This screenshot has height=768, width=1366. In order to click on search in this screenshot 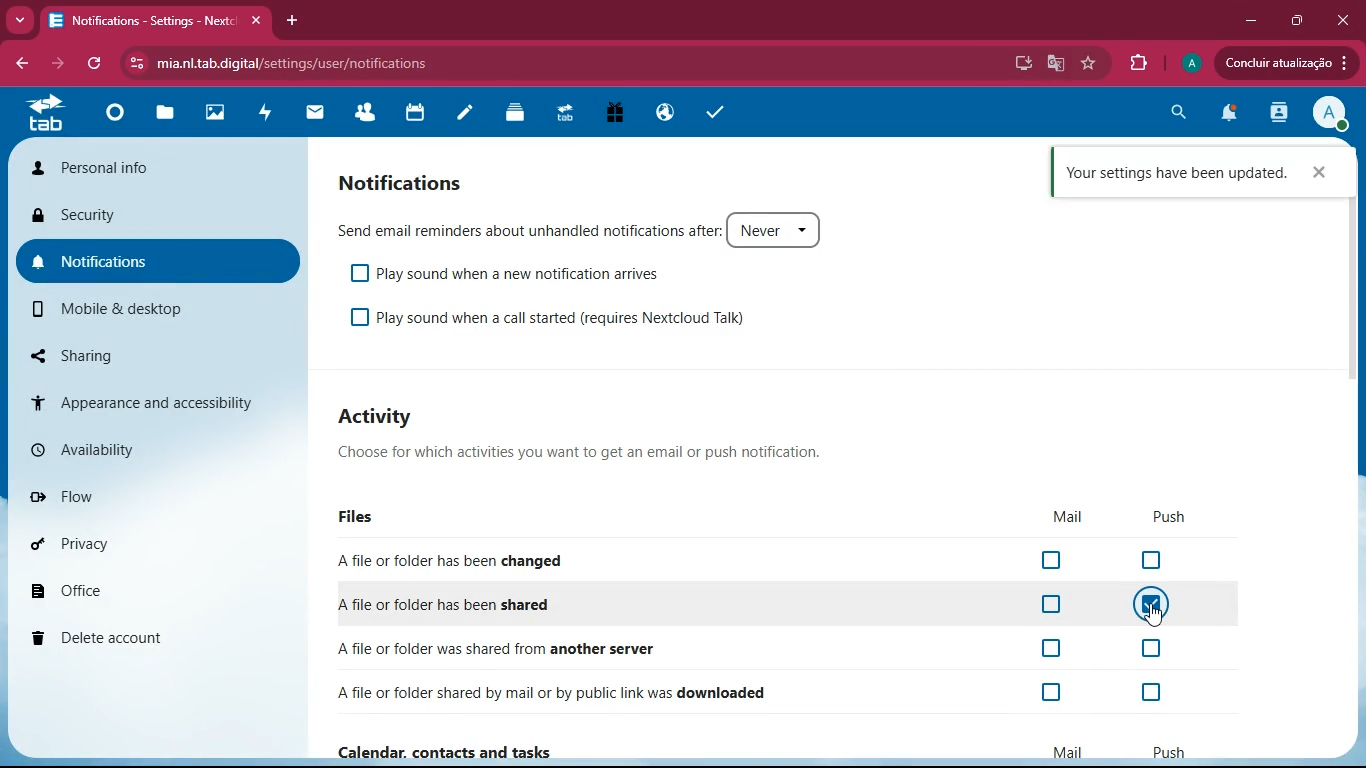, I will do `click(1177, 116)`.